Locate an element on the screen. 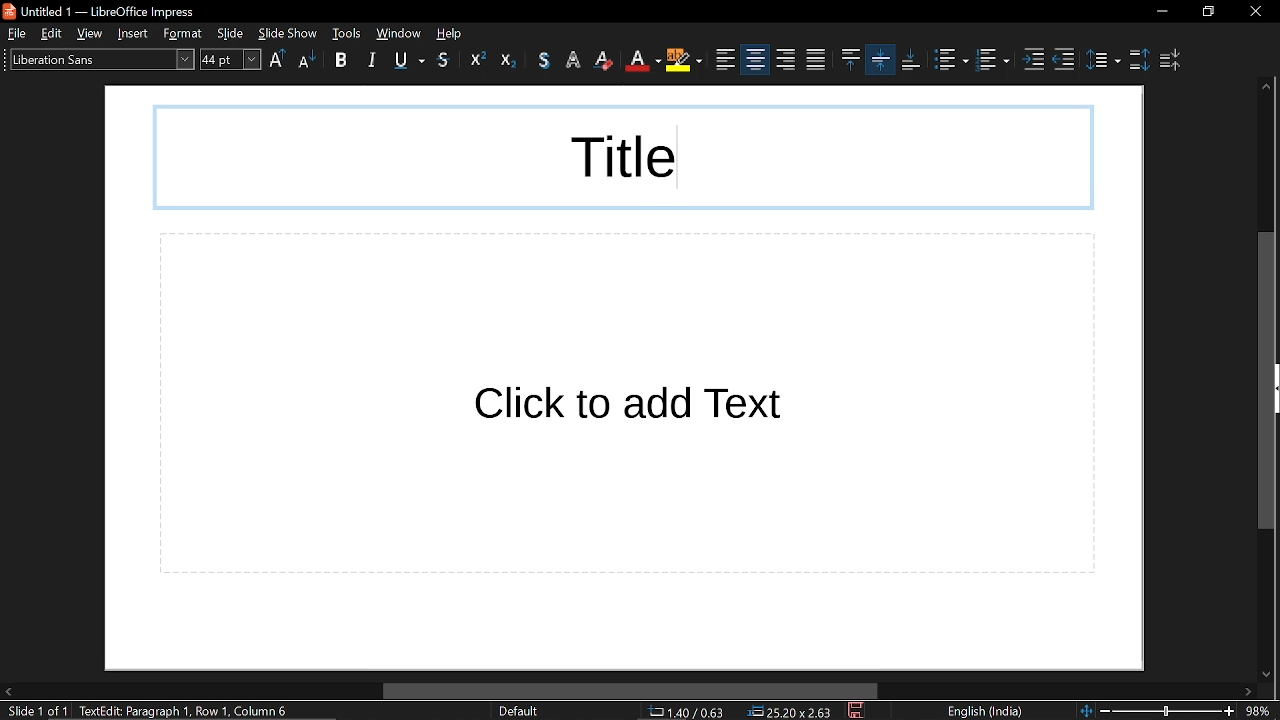 The image size is (1280, 720). window is located at coordinates (398, 33).